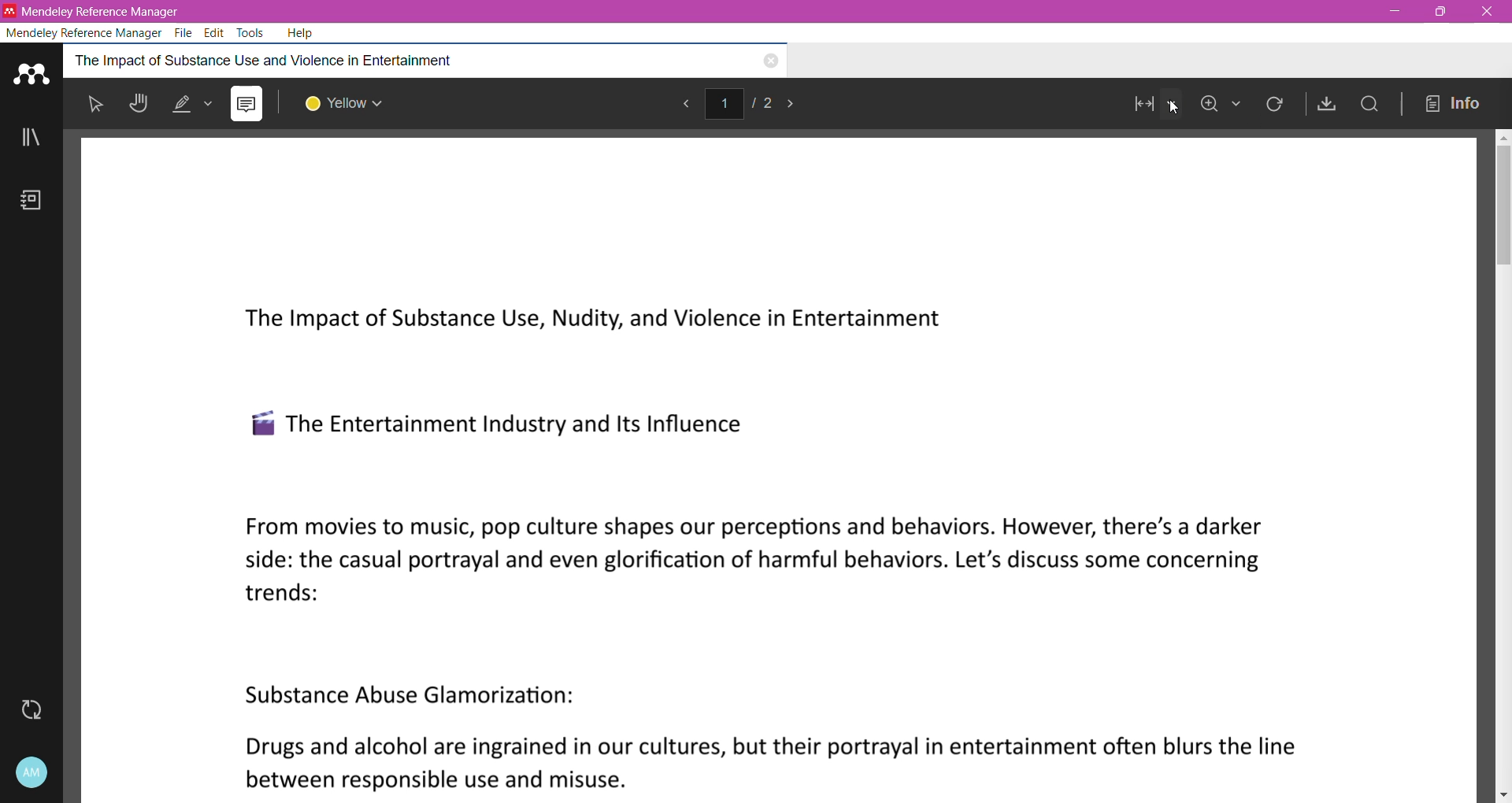 This screenshot has height=803, width=1512. I want to click on Account and Help, so click(31, 773).